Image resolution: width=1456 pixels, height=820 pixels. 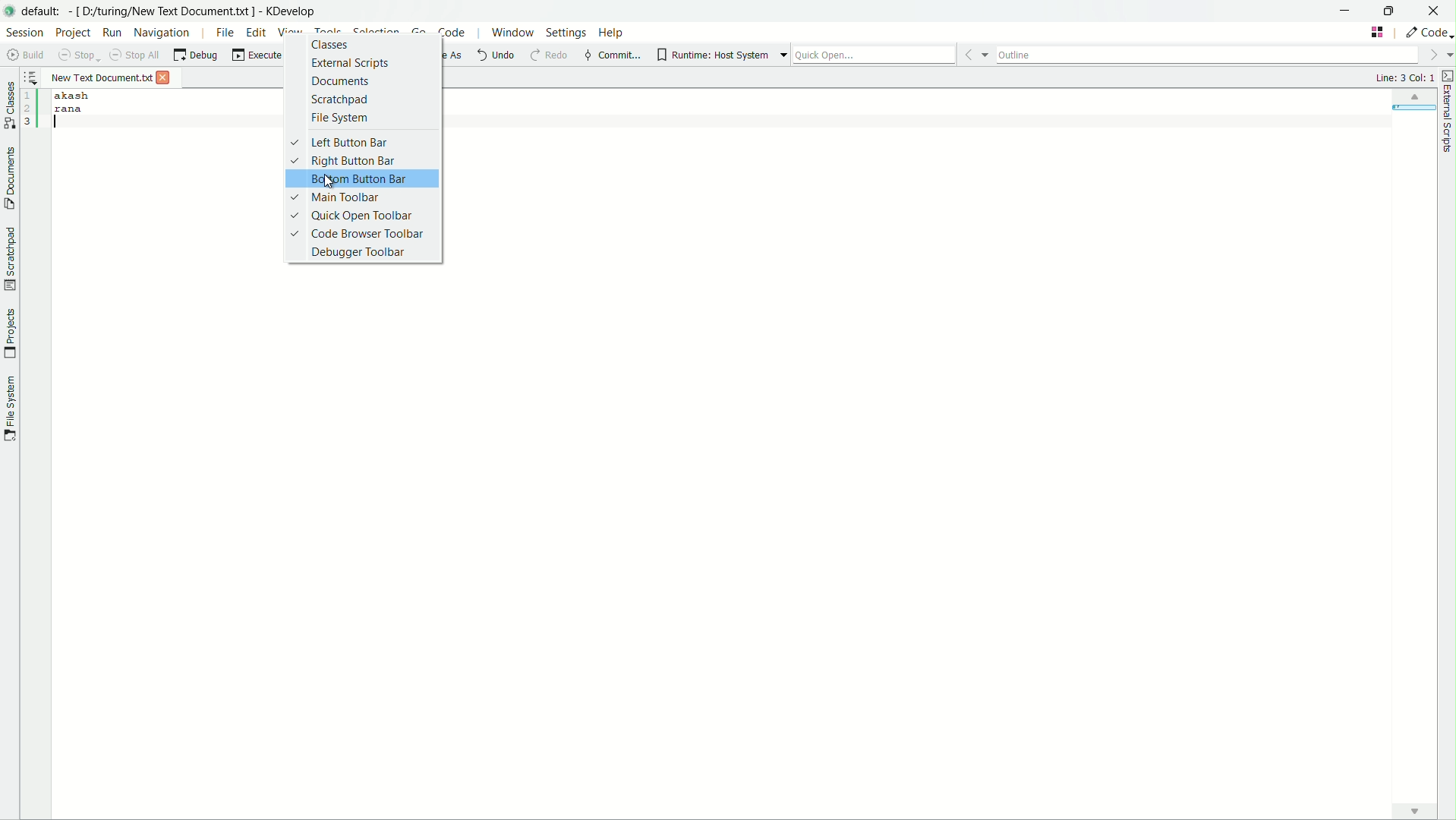 What do you see at coordinates (164, 445) in the screenshot?
I see `akash rana` at bounding box center [164, 445].